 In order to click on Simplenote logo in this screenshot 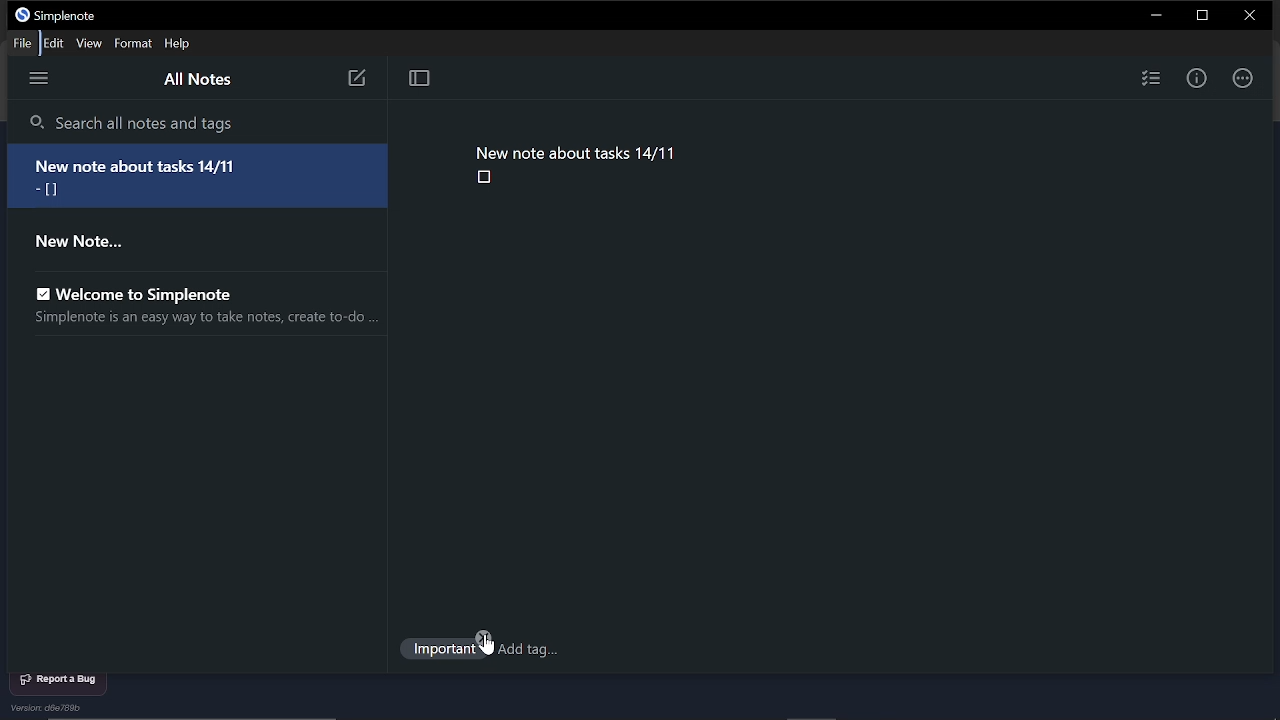, I will do `click(22, 14)`.